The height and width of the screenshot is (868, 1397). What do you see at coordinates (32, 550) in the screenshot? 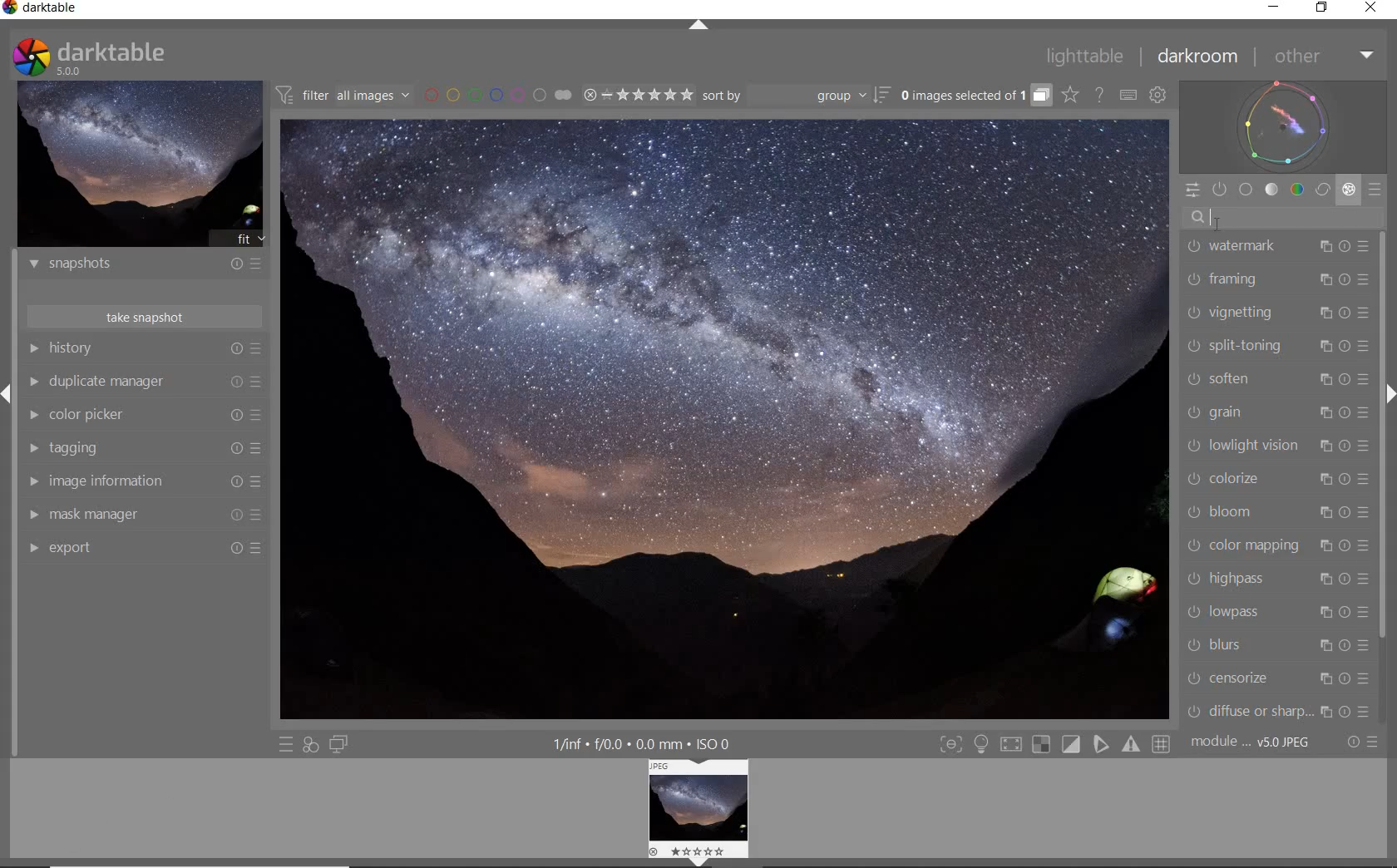
I see `EXPORT` at bounding box center [32, 550].